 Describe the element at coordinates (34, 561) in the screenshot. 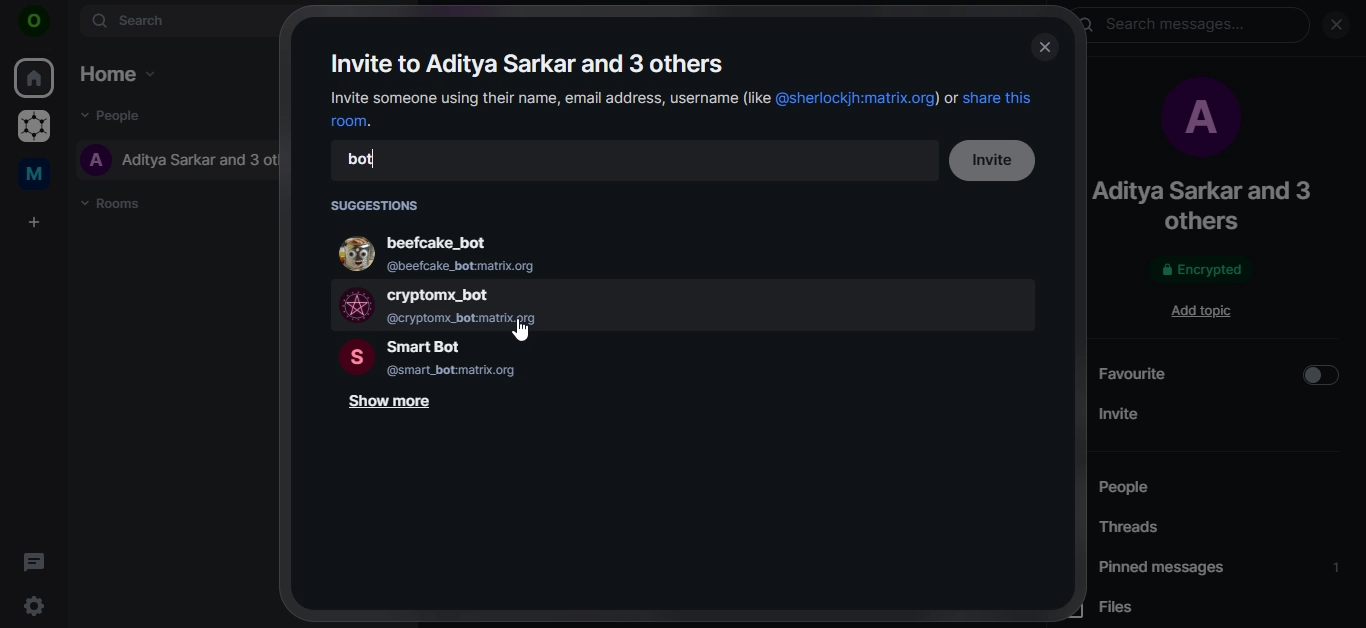

I see `threads` at that location.